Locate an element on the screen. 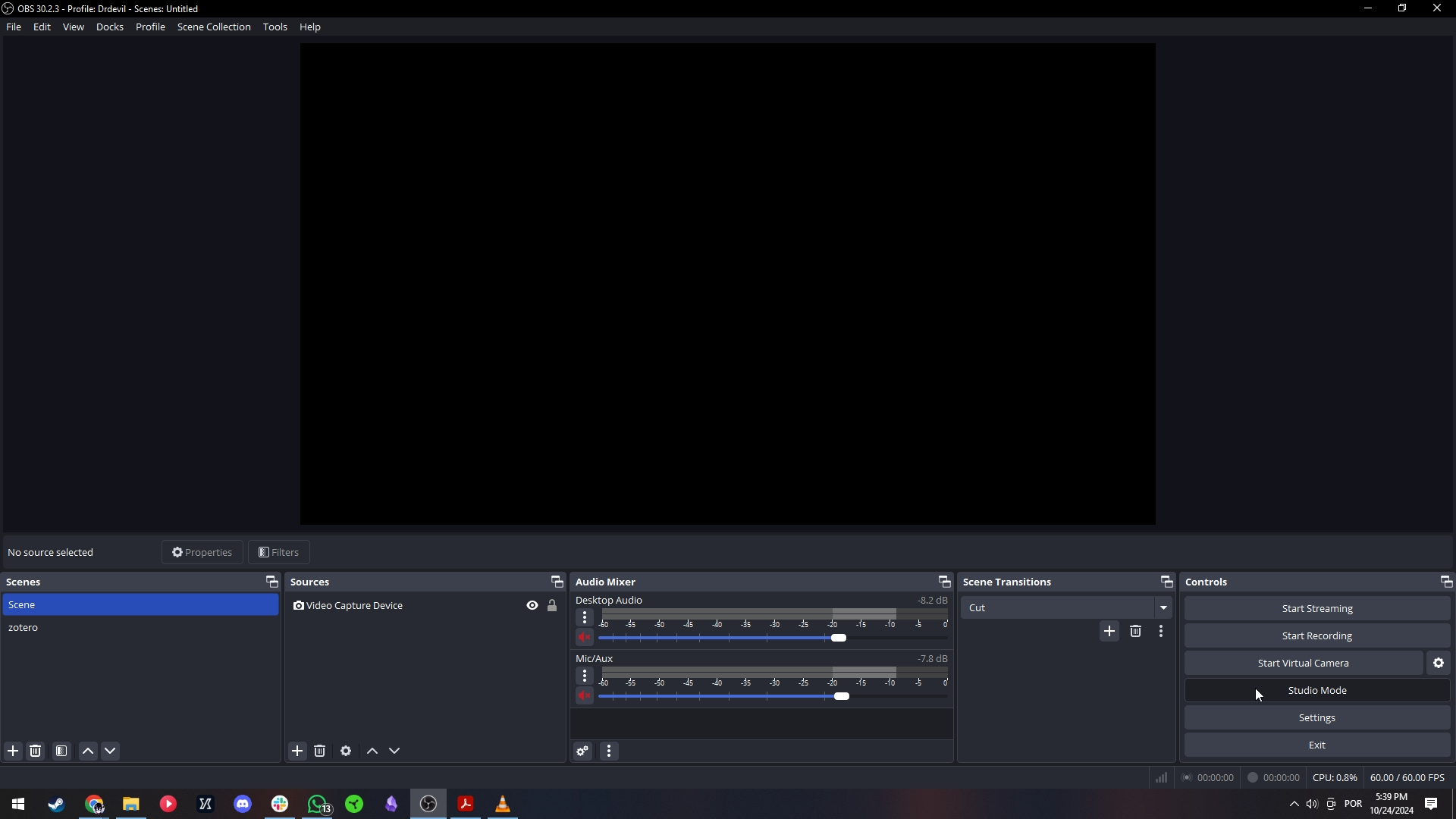 The image size is (1456, 819). Recording runtime is located at coordinates (1275, 777).